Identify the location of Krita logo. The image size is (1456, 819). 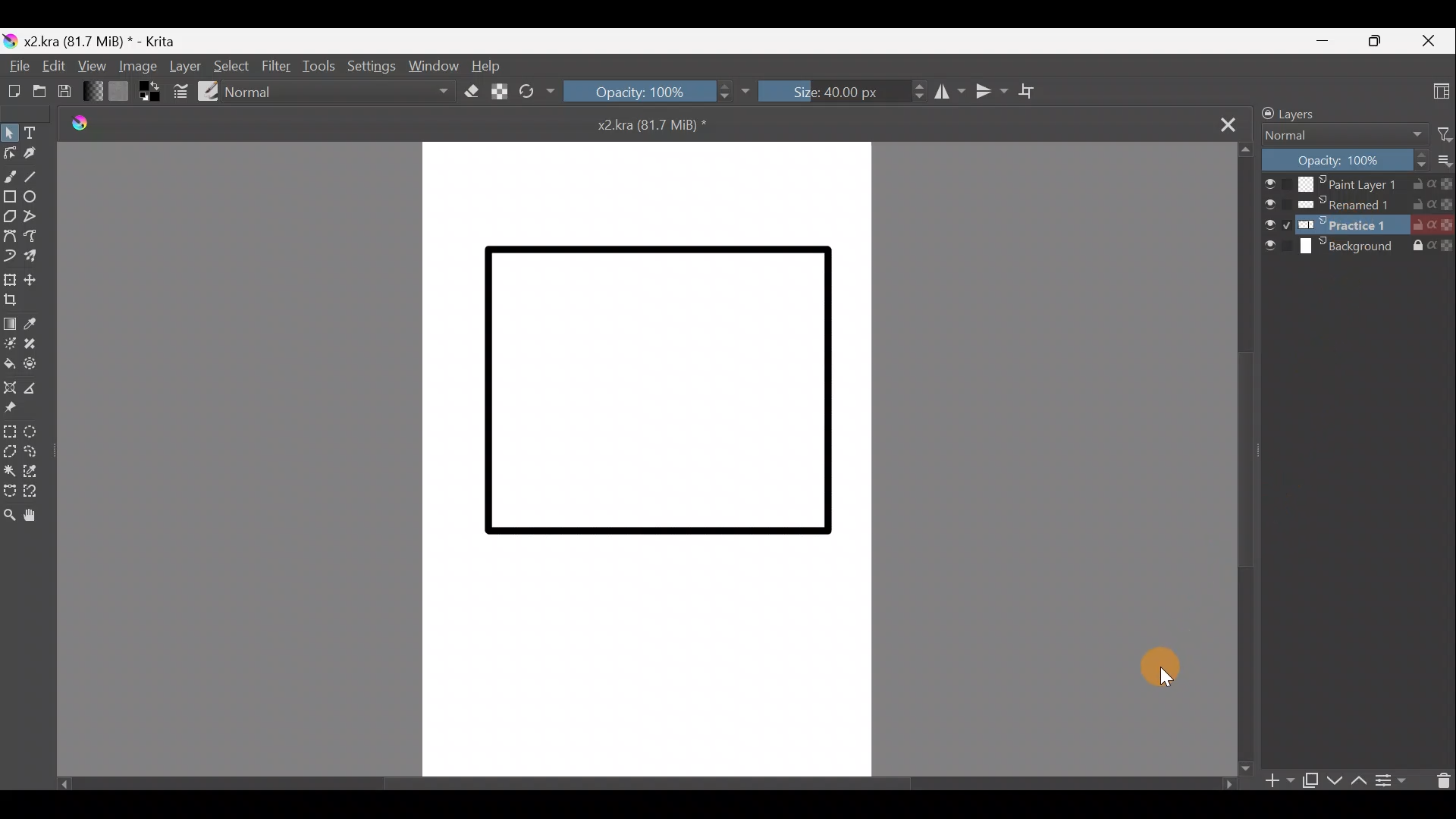
(84, 122).